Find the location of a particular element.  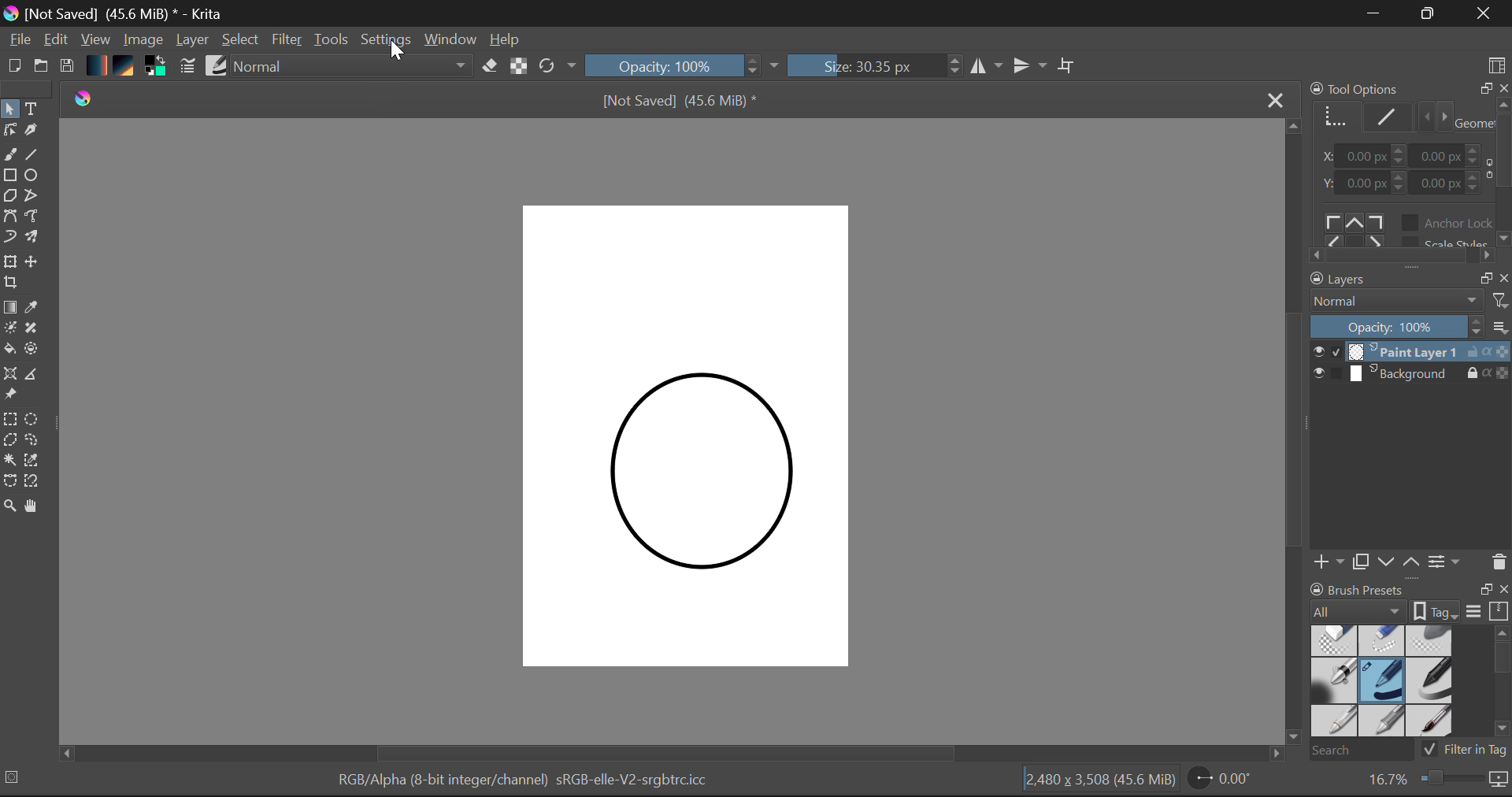

Colors in use is located at coordinates (159, 69).